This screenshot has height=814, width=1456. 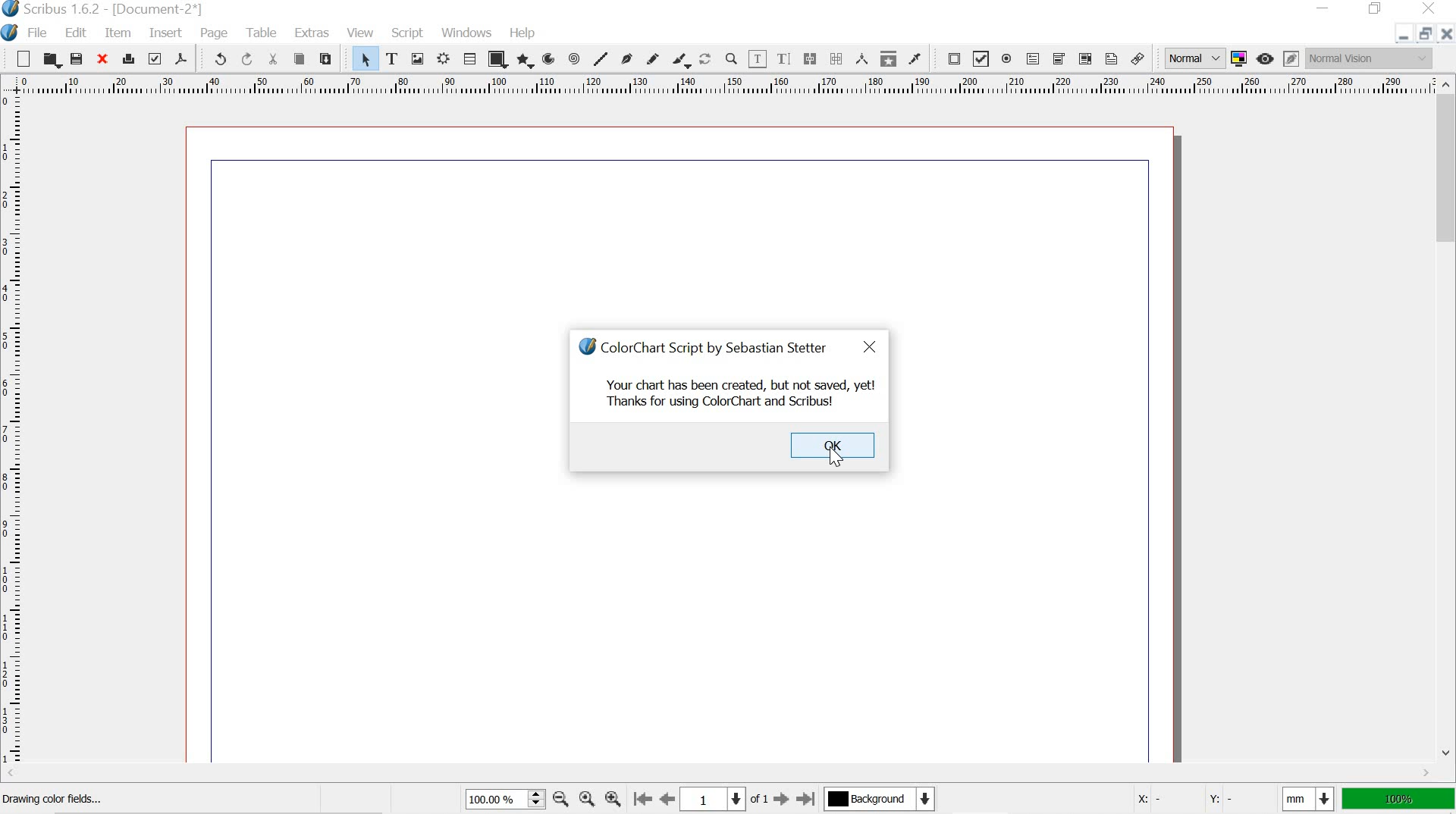 What do you see at coordinates (275, 58) in the screenshot?
I see `cut` at bounding box center [275, 58].